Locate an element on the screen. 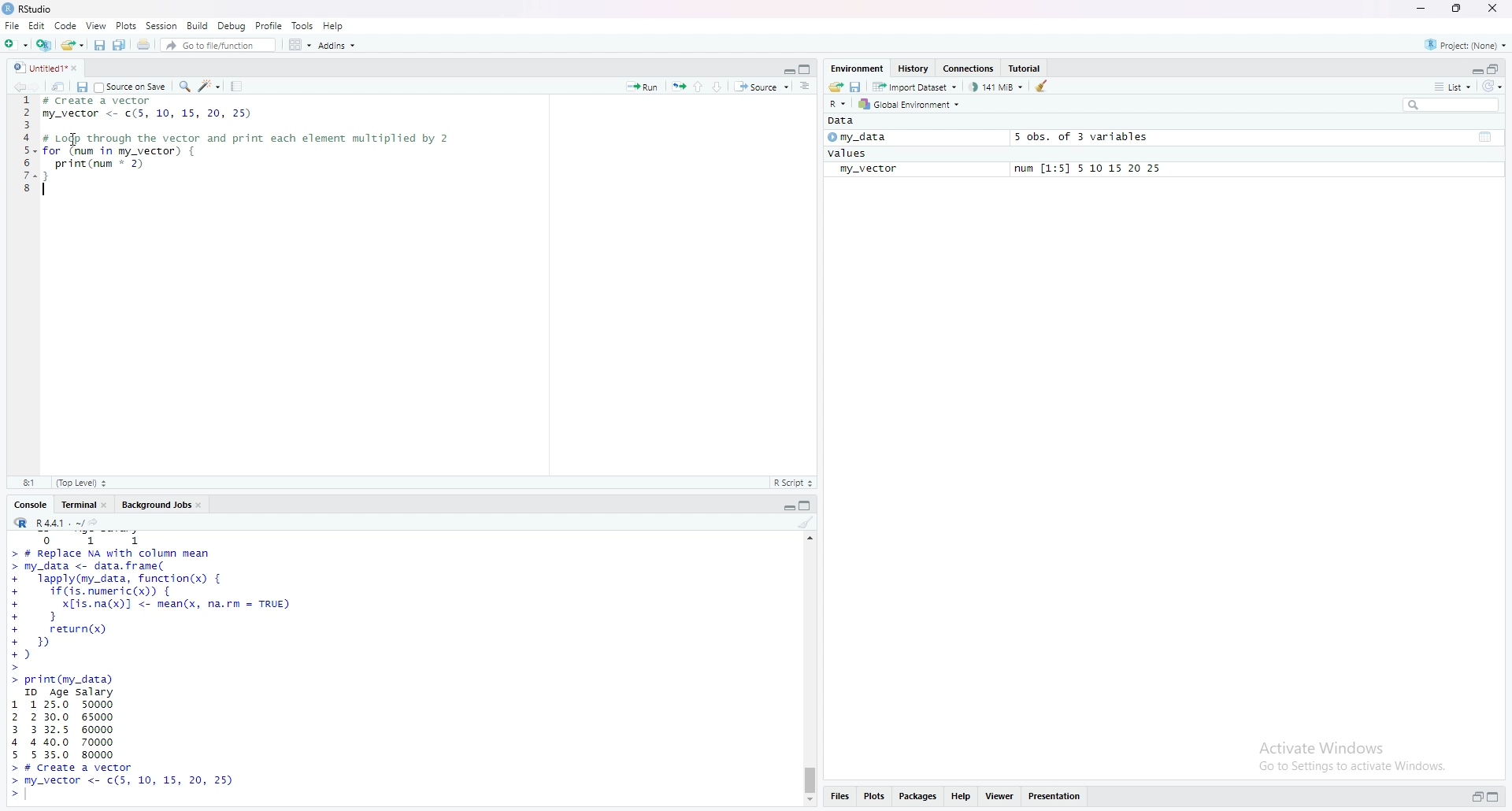 The height and width of the screenshot is (811, 1512). Rstudio is located at coordinates (31, 9).